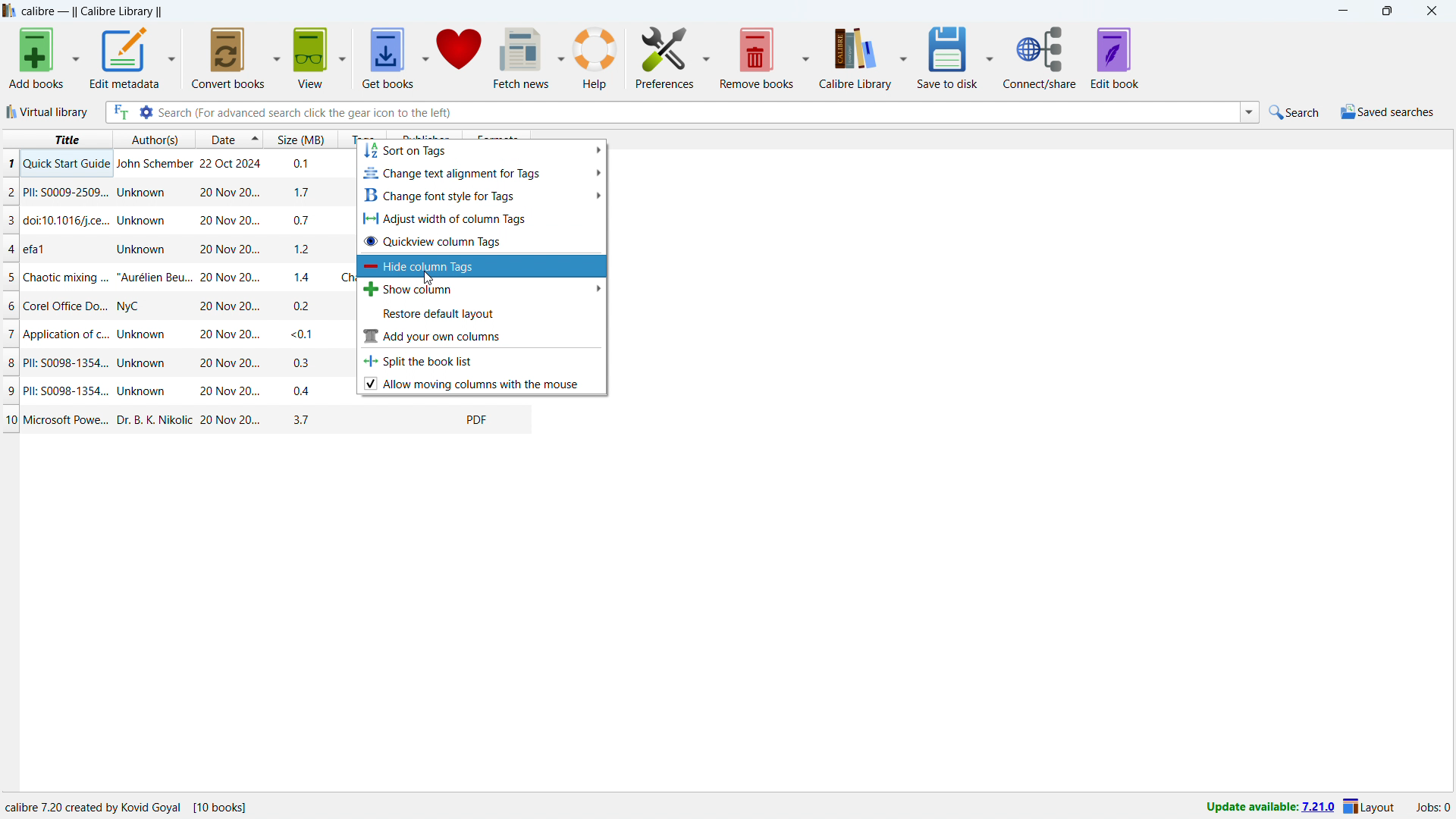 This screenshot has height=819, width=1456. I want to click on convert books option, so click(278, 56).